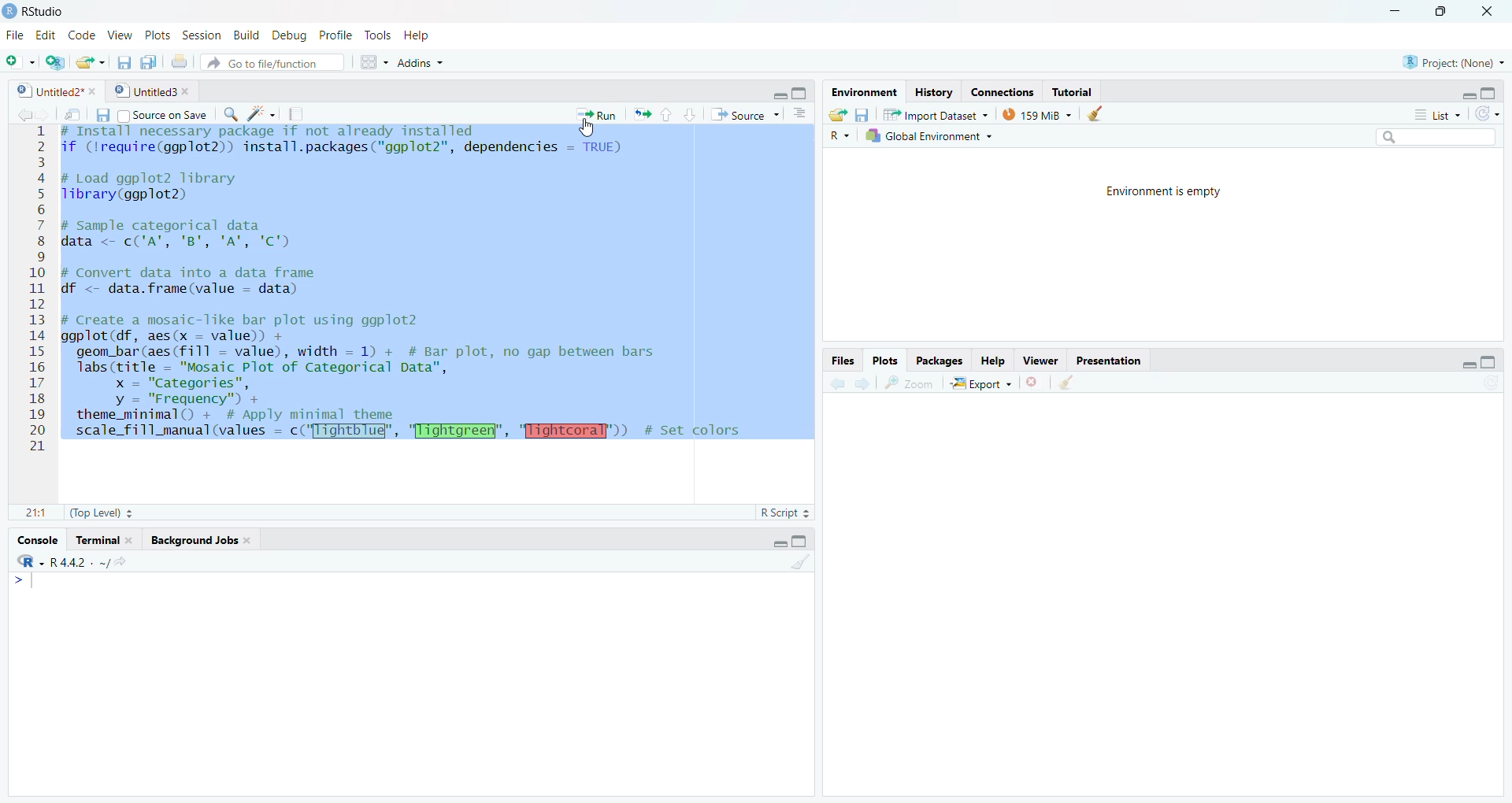  Describe the element at coordinates (121, 64) in the screenshot. I see `Save` at that location.